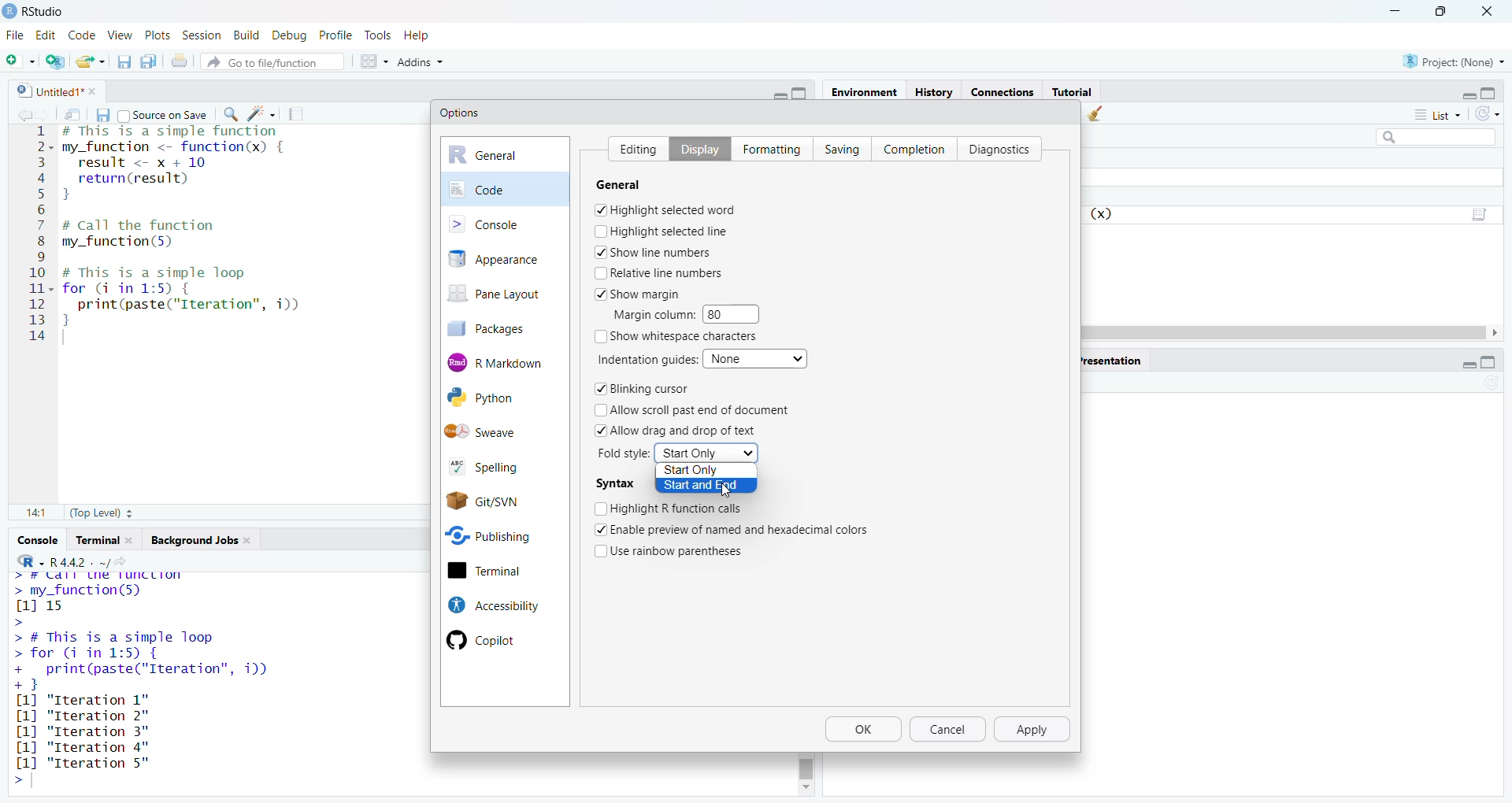 The width and height of the screenshot is (1512, 803). What do you see at coordinates (1103, 214) in the screenshot?
I see `function (x)` at bounding box center [1103, 214].